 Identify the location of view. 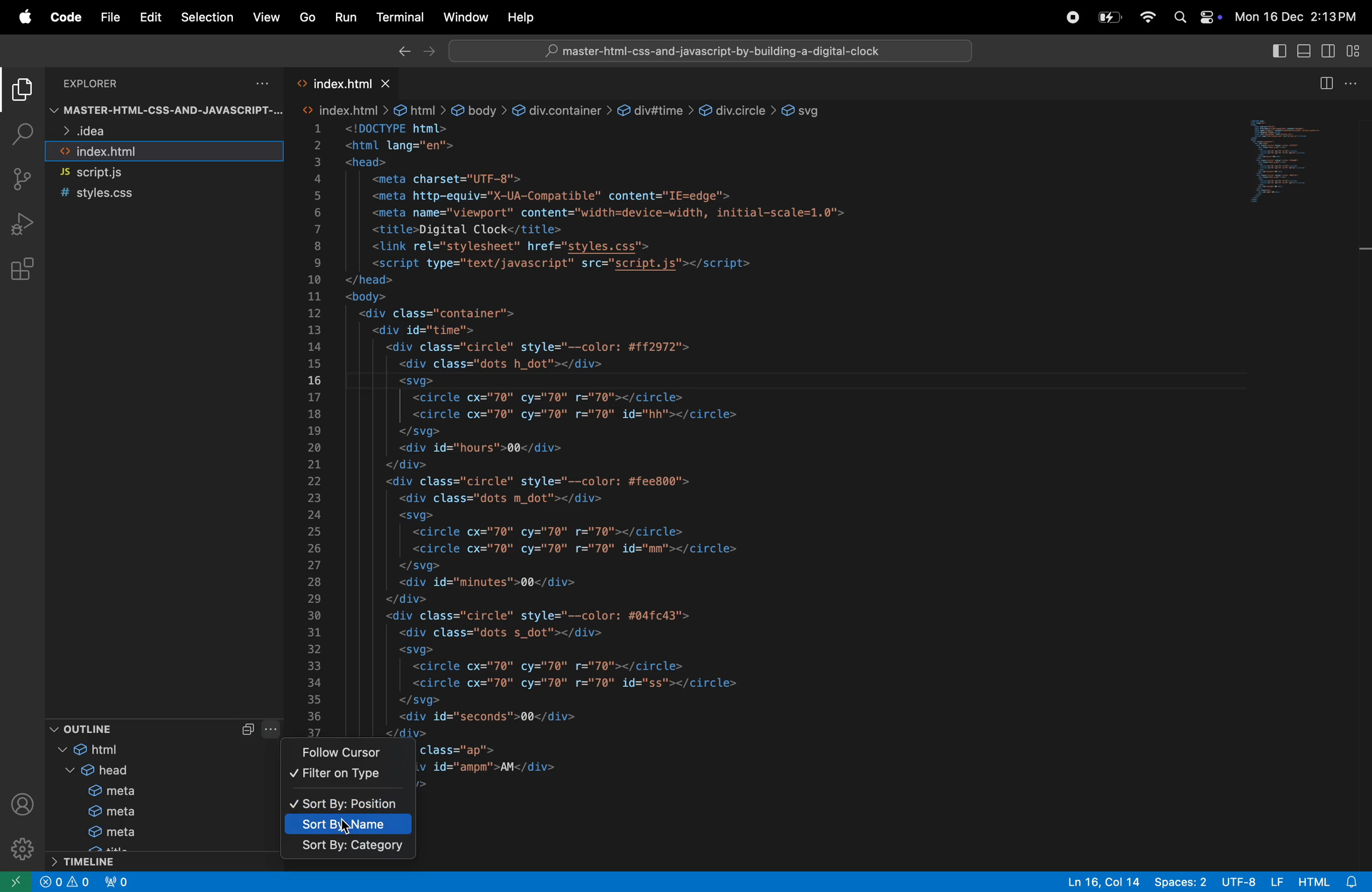
(266, 14).